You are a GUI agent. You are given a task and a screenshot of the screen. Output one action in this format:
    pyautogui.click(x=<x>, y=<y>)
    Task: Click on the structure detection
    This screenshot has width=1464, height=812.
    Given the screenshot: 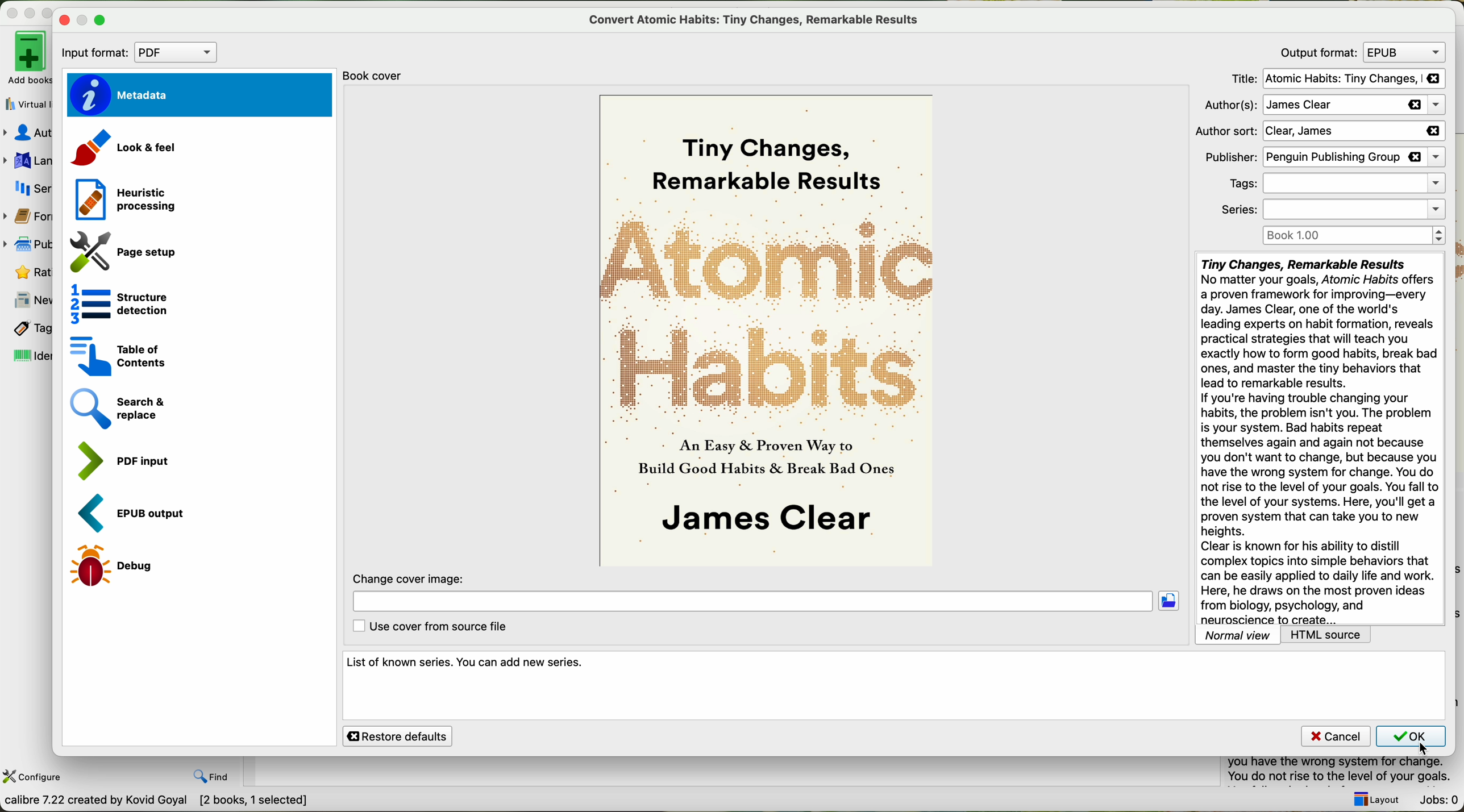 What is the action you would take?
    pyautogui.click(x=113, y=302)
    